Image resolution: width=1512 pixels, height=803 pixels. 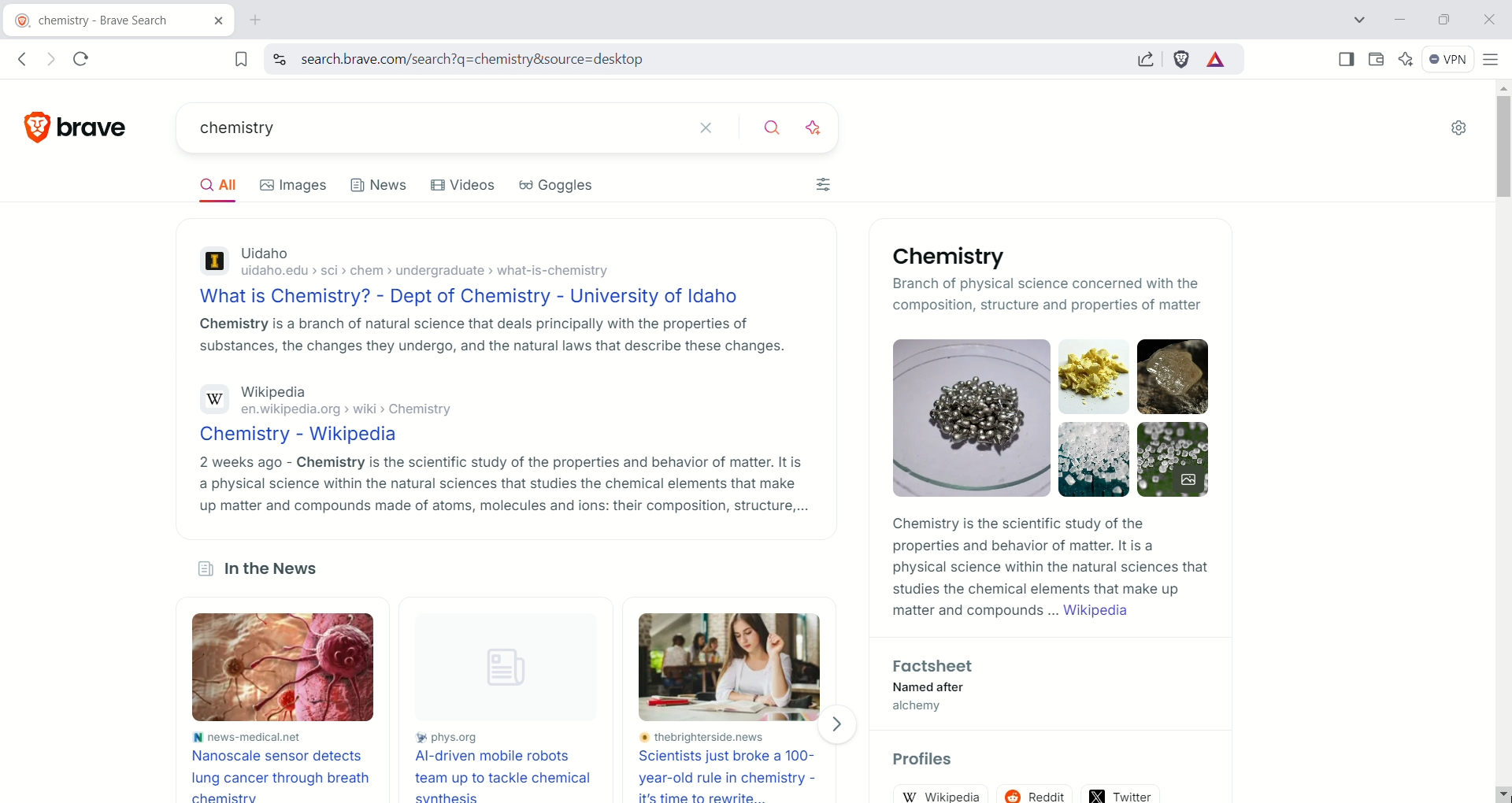 I want to click on Factsheet— Named after- alchemy, so click(x=929, y=689).